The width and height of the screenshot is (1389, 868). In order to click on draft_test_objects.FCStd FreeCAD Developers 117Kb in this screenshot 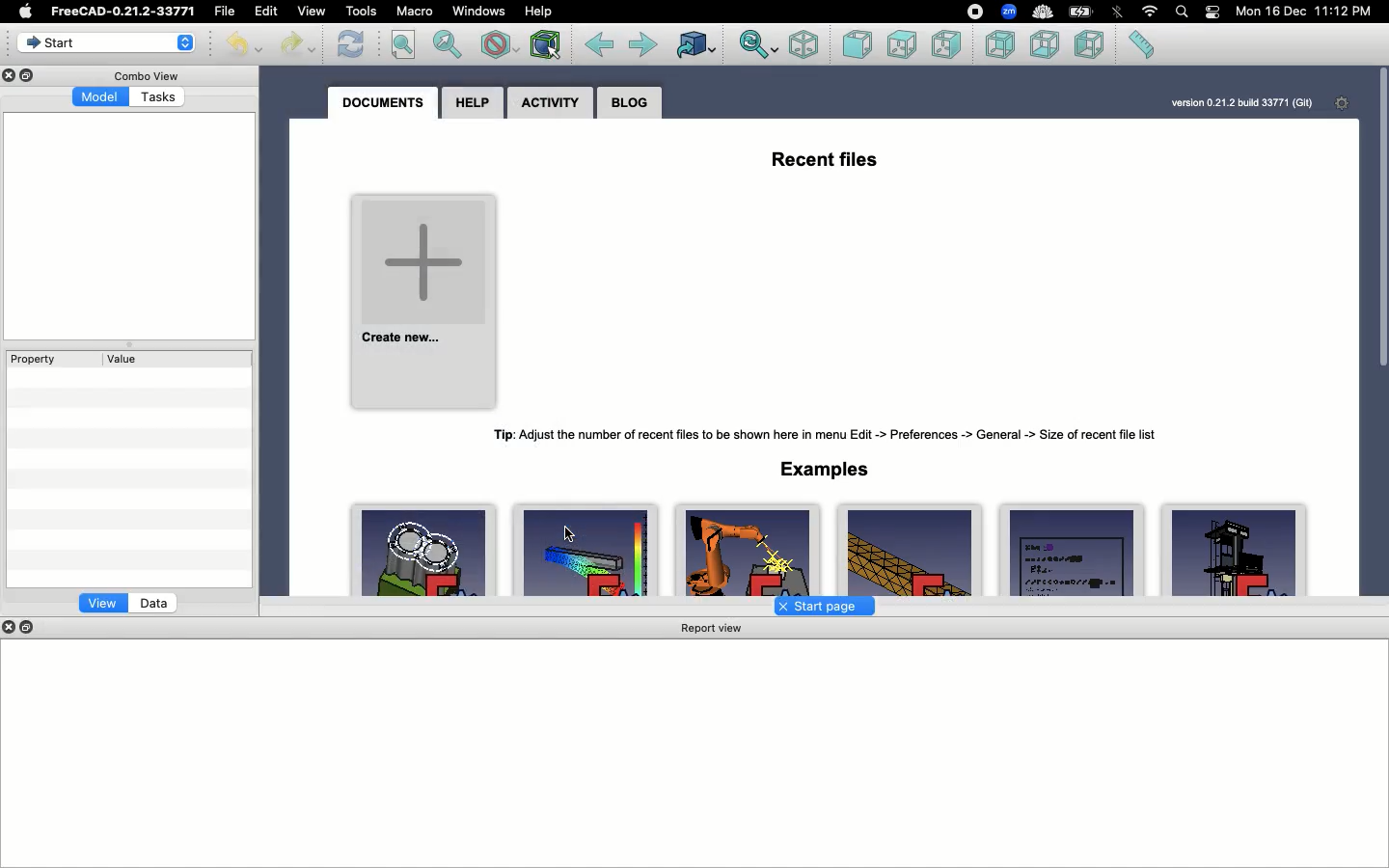, I will do `click(1070, 551)`.